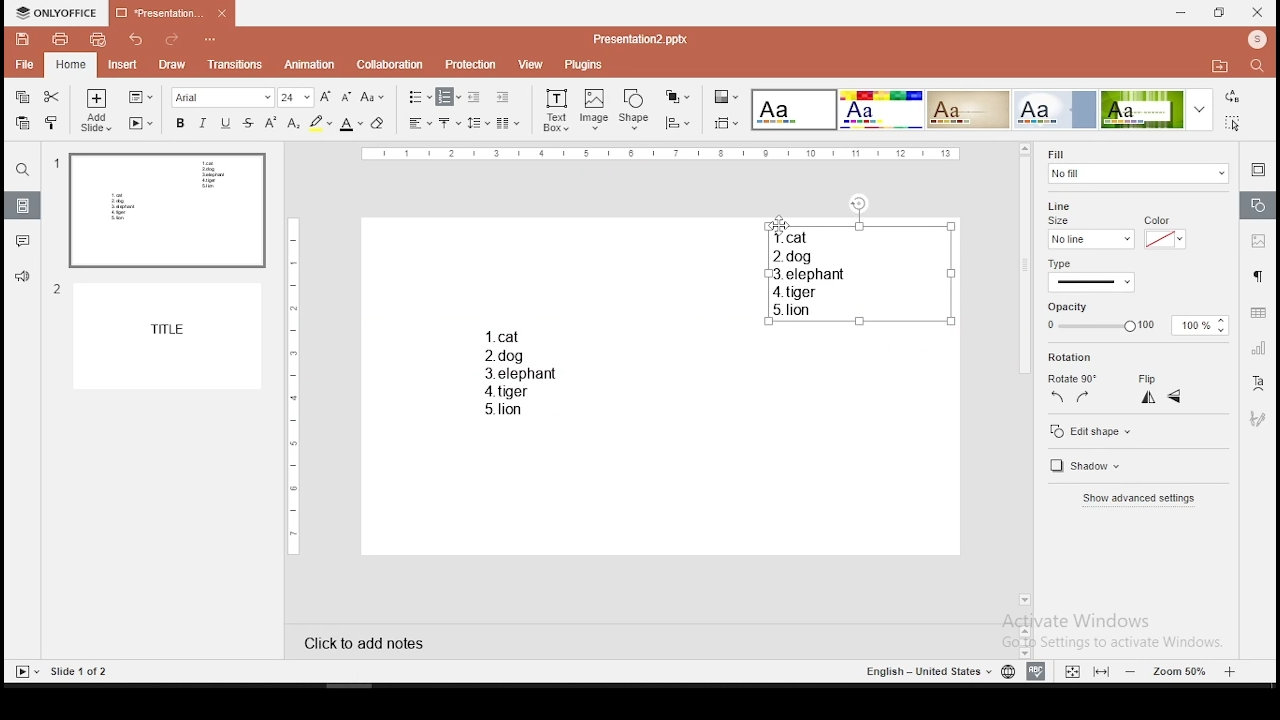 This screenshot has width=1280, height=720. What do you see at coordinates (344, 95) in the screenshot?
I see `decrease font size` at bounding box center [344, 95].